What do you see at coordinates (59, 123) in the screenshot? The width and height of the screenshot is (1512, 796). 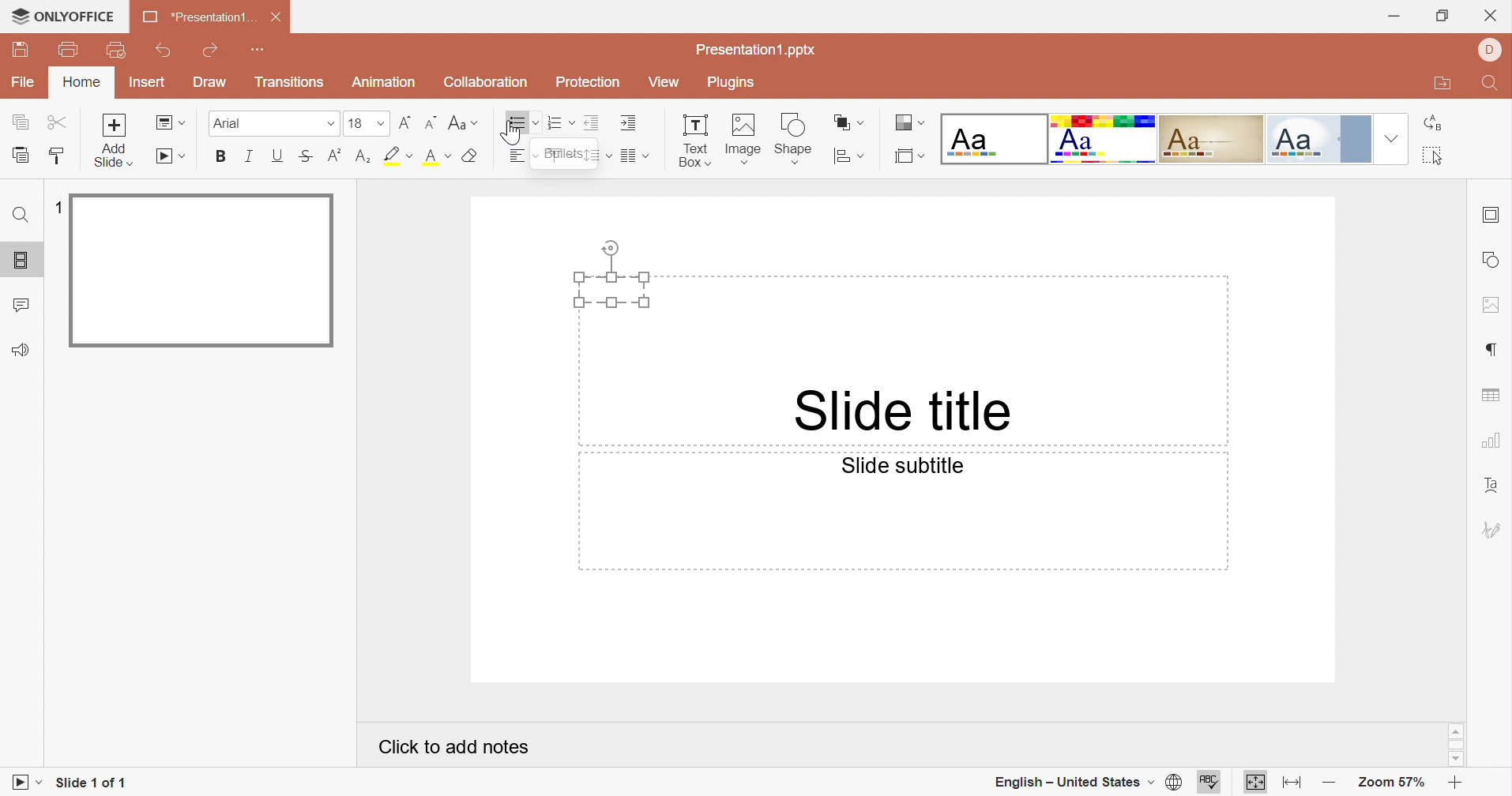 I see `Cut` at bounding box center [59, 123].